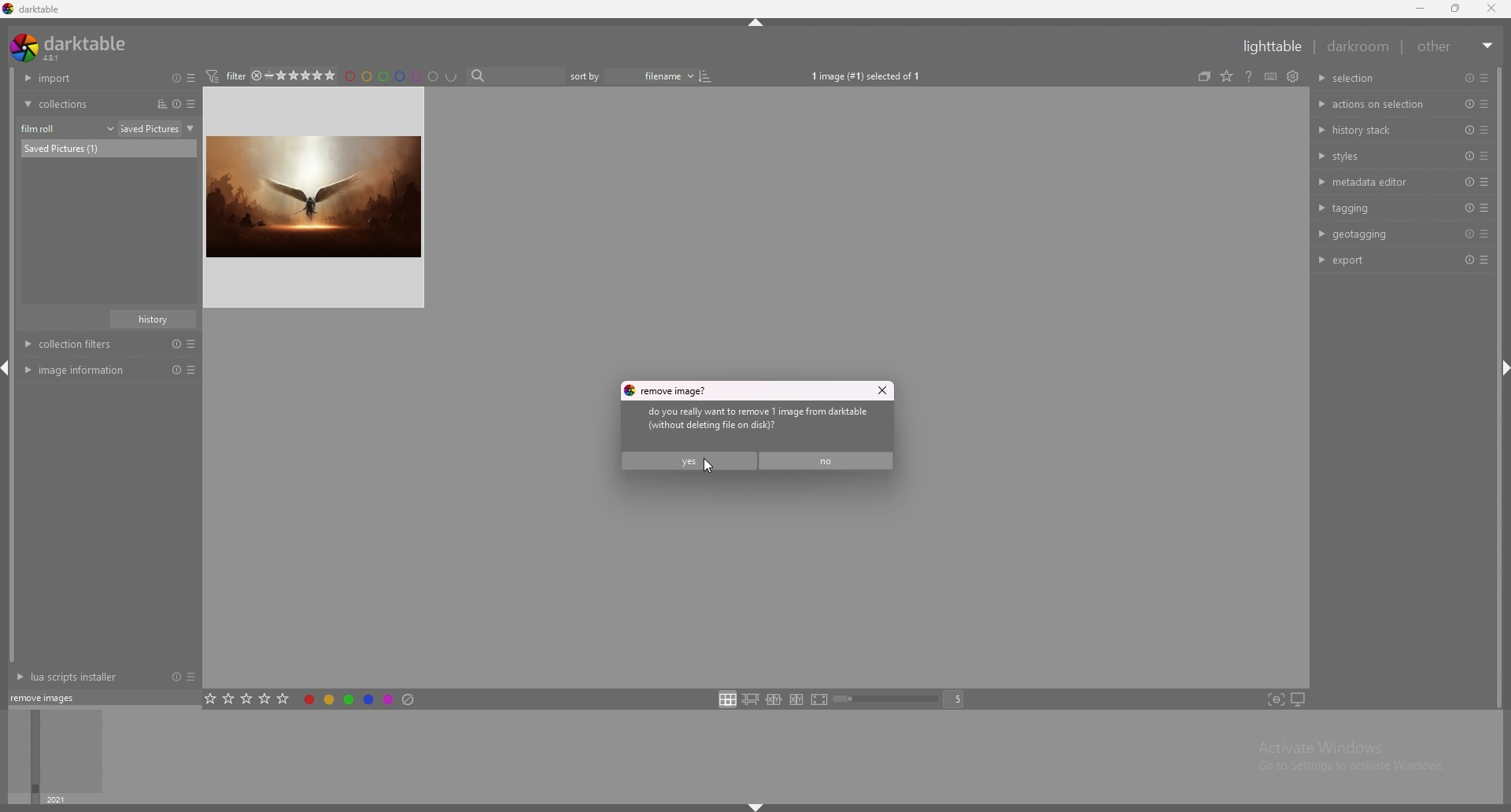 The height and width of the screenshot is (812, 1511). What do you see at coordinates (109, 370) in the screenshot?
I see `image information` at bounding box center [109, 370].